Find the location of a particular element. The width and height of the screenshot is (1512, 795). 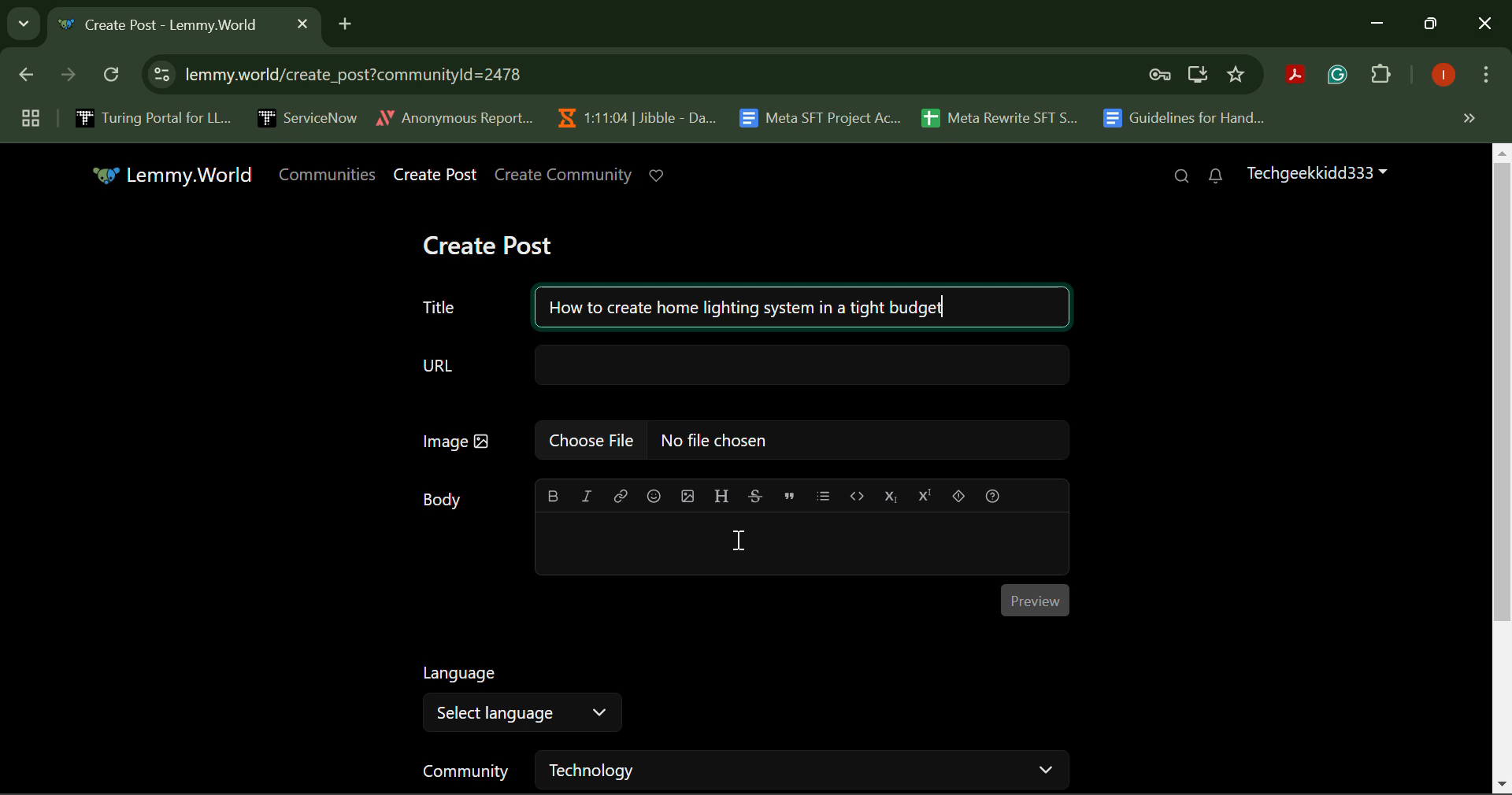

Donate to Lemmy is located at coordinates (658, 176).